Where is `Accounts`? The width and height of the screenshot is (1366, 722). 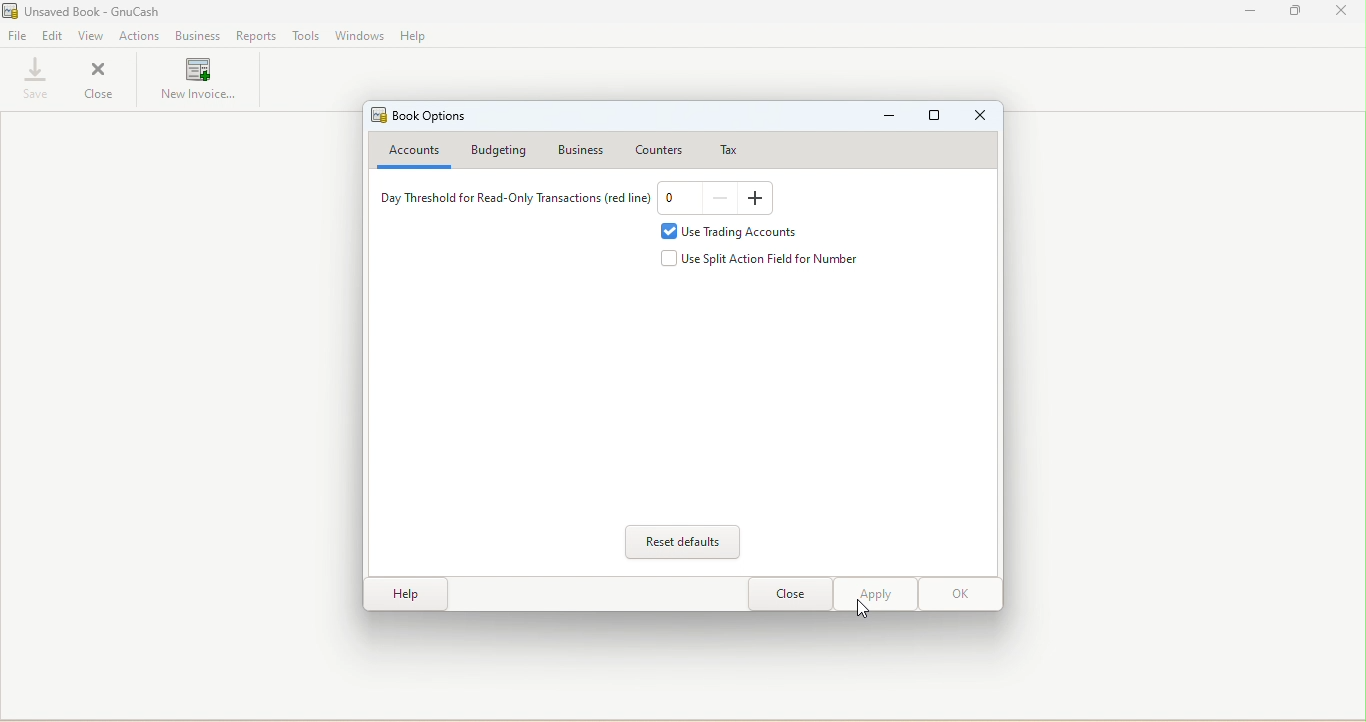
Accounts is located at coordinates (411, 152).